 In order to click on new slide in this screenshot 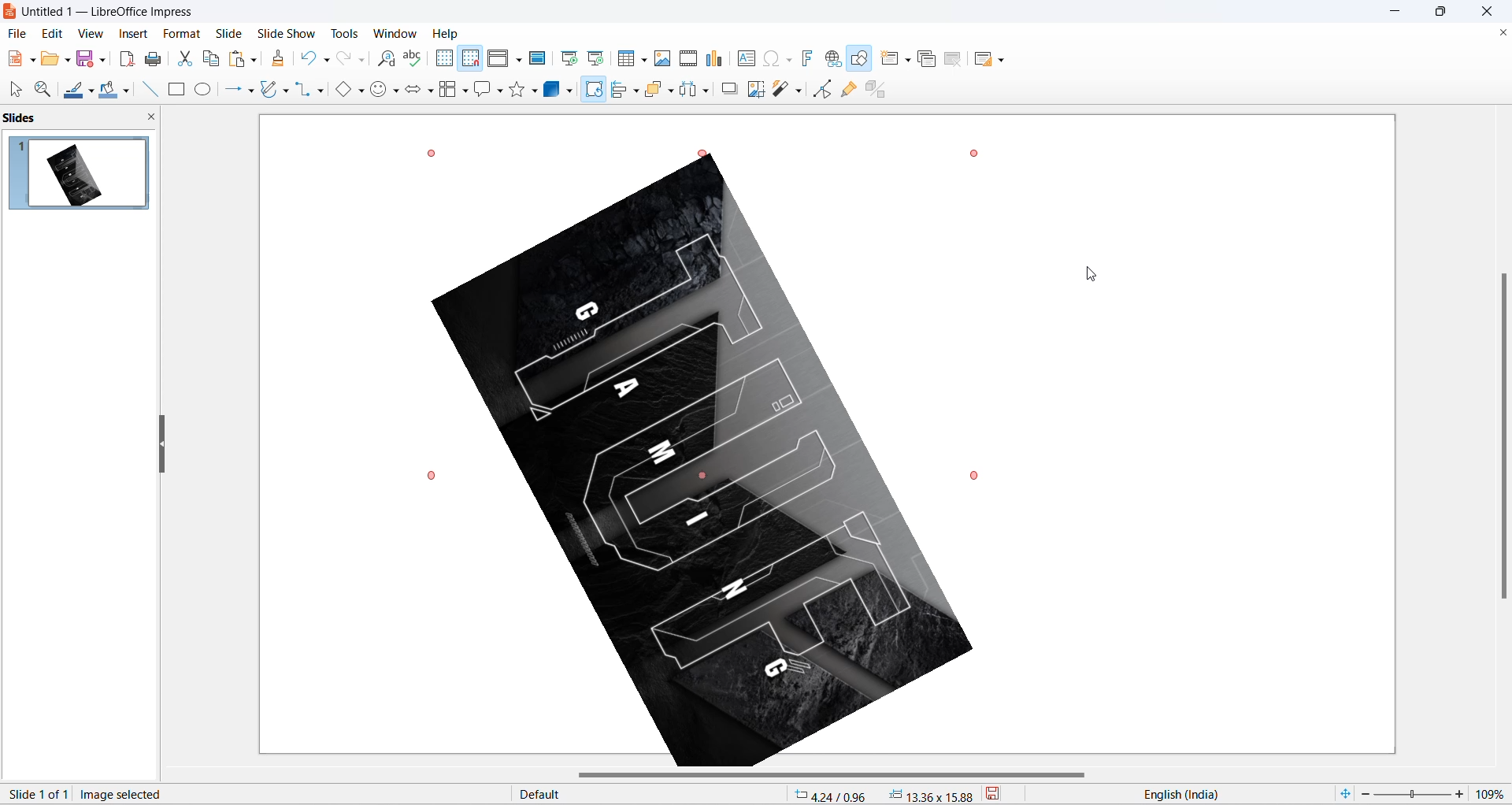, I will do `click(890, 58)`.